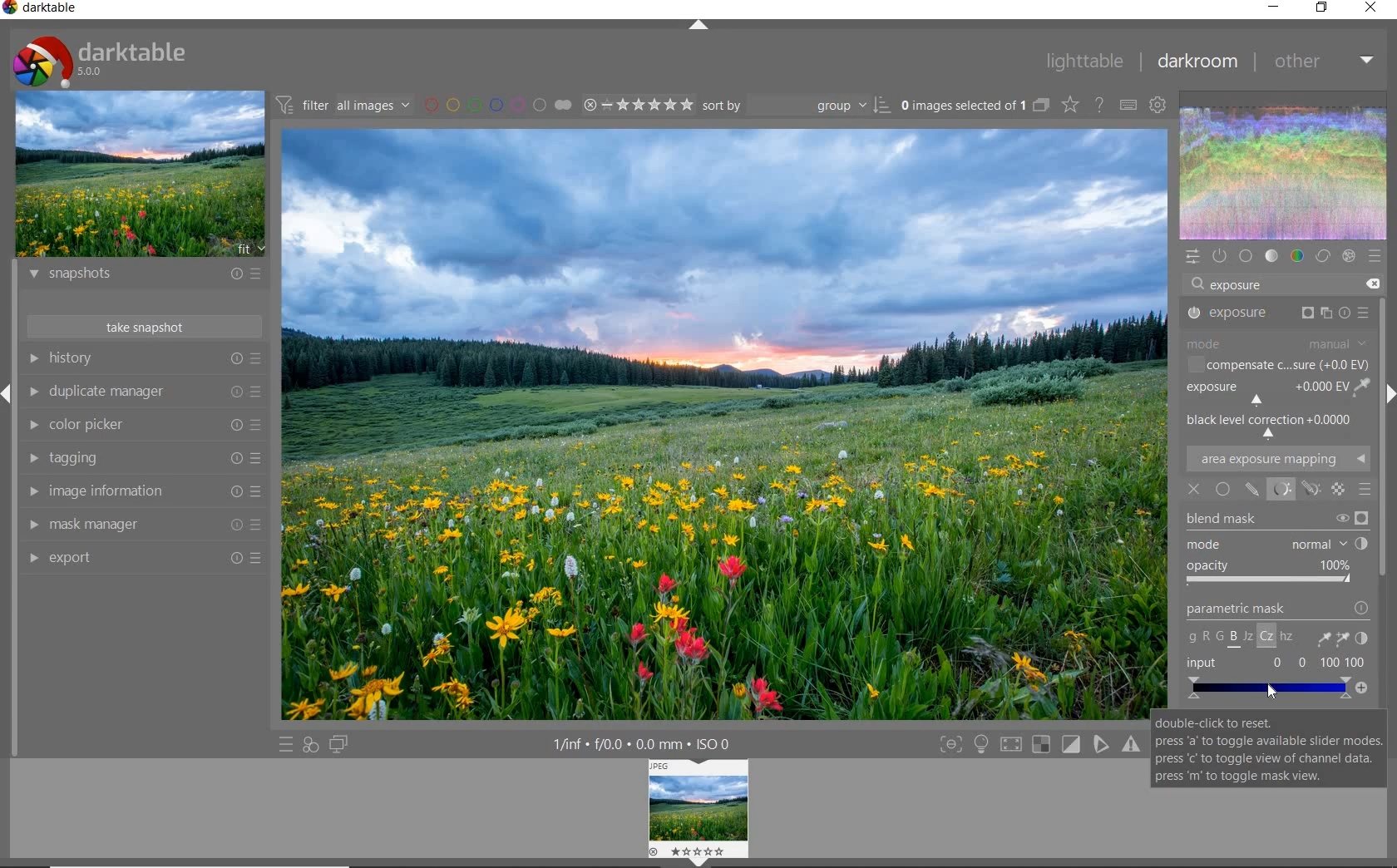  I want to click on image preview, so click(141, 175).